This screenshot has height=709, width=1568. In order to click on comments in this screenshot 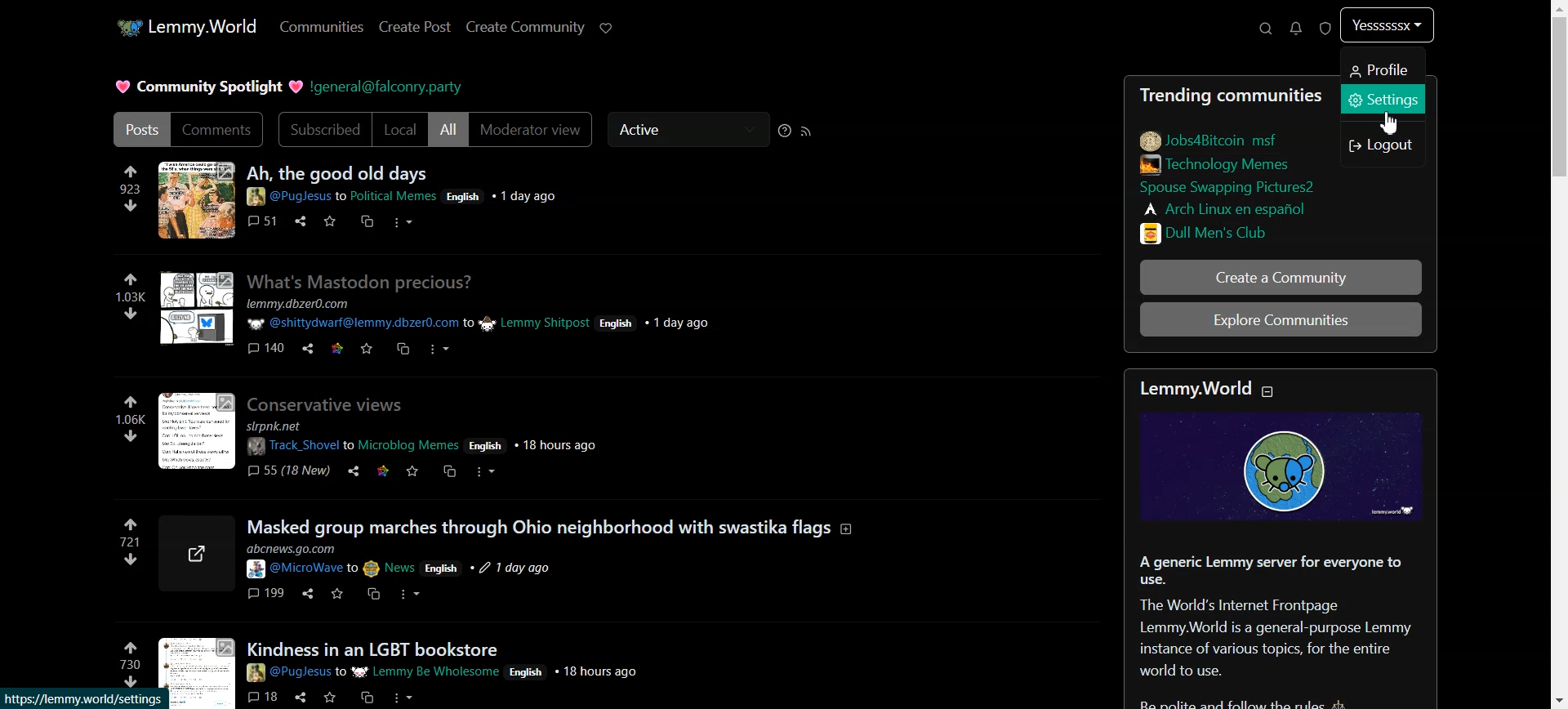, I will do `click(262, 592)`.